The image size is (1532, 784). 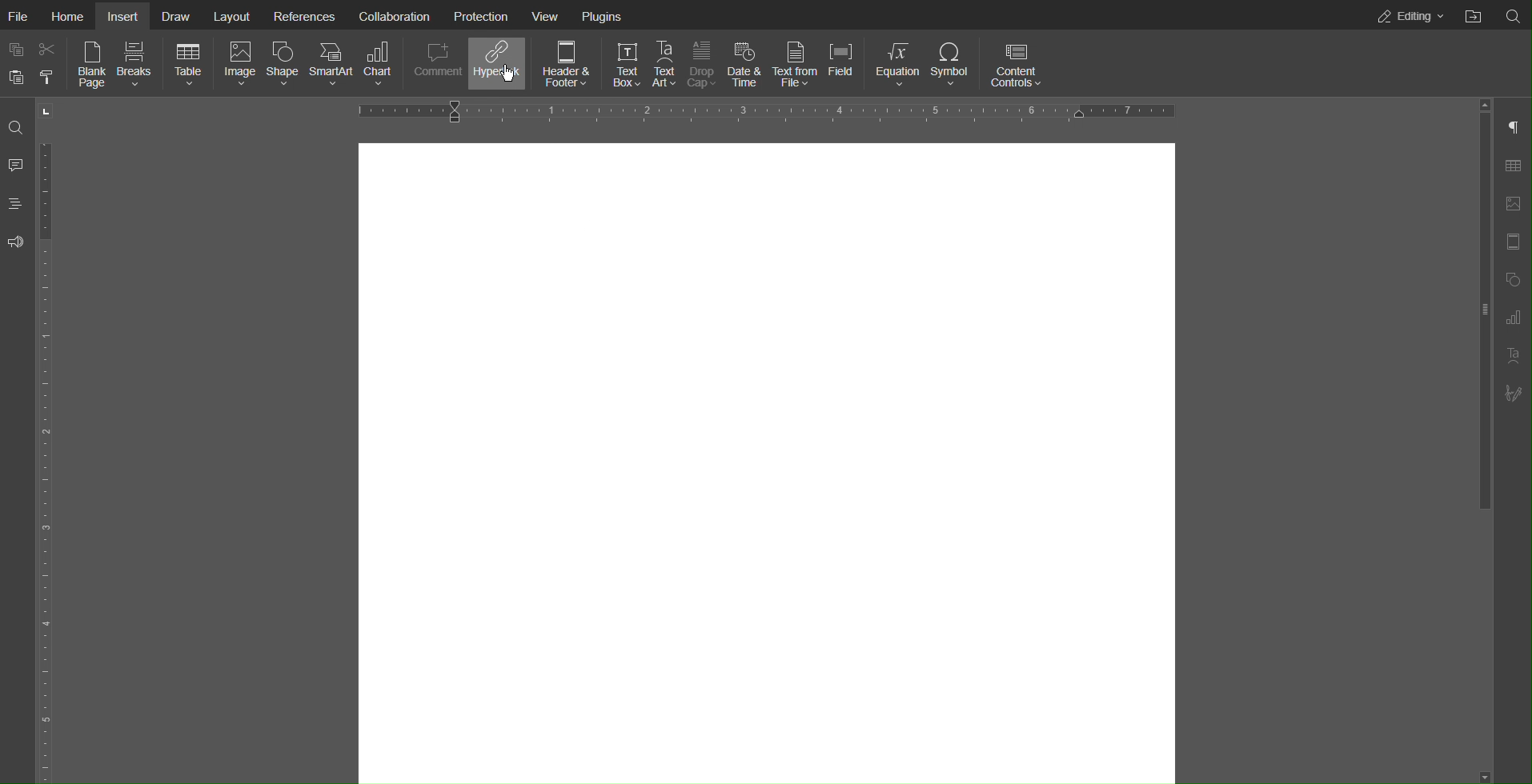 I want to click on Horizontal Ruler, so click(x=763, y=110).